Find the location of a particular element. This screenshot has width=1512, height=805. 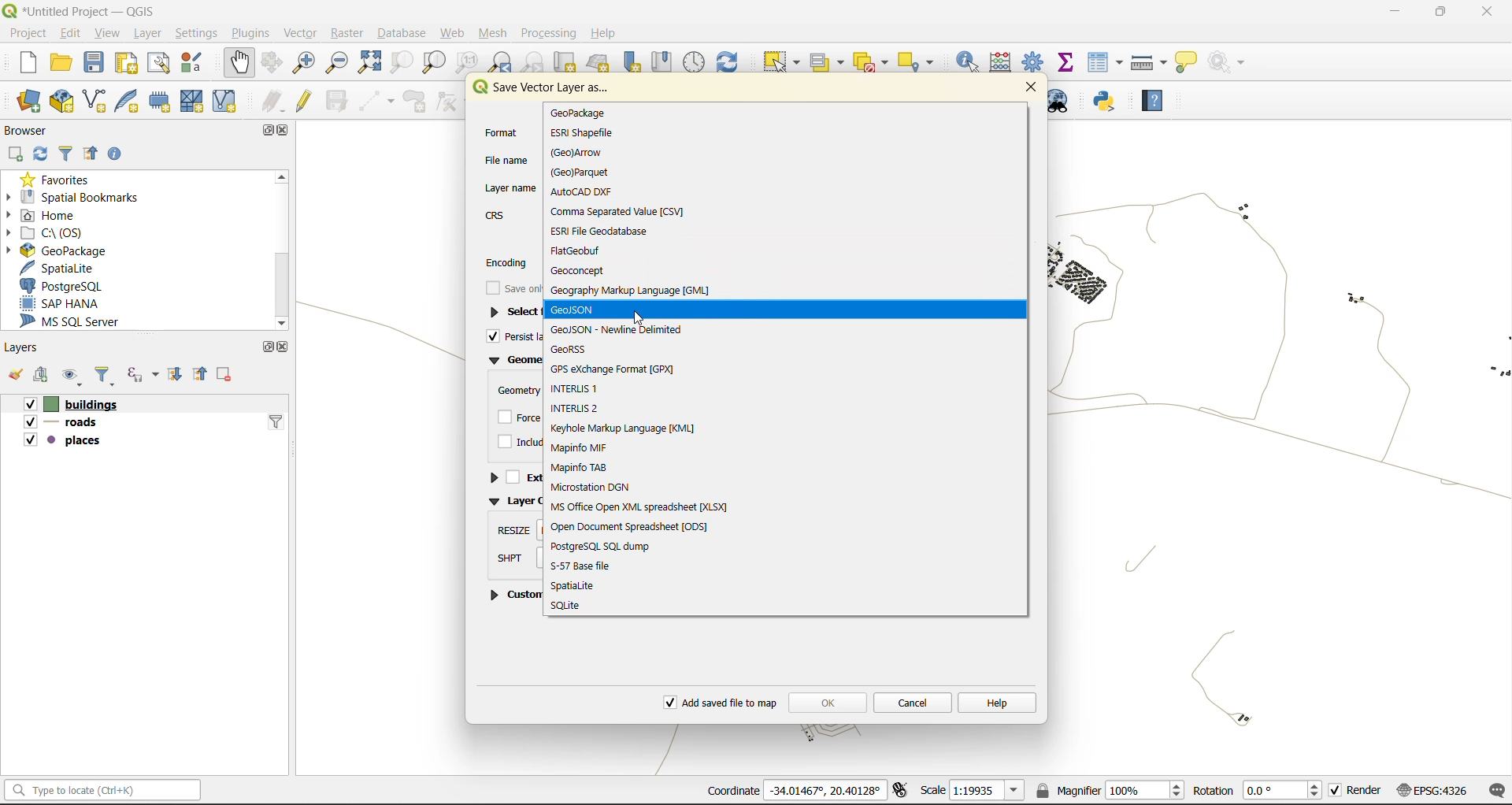

select is located at coordinates (779, 62).